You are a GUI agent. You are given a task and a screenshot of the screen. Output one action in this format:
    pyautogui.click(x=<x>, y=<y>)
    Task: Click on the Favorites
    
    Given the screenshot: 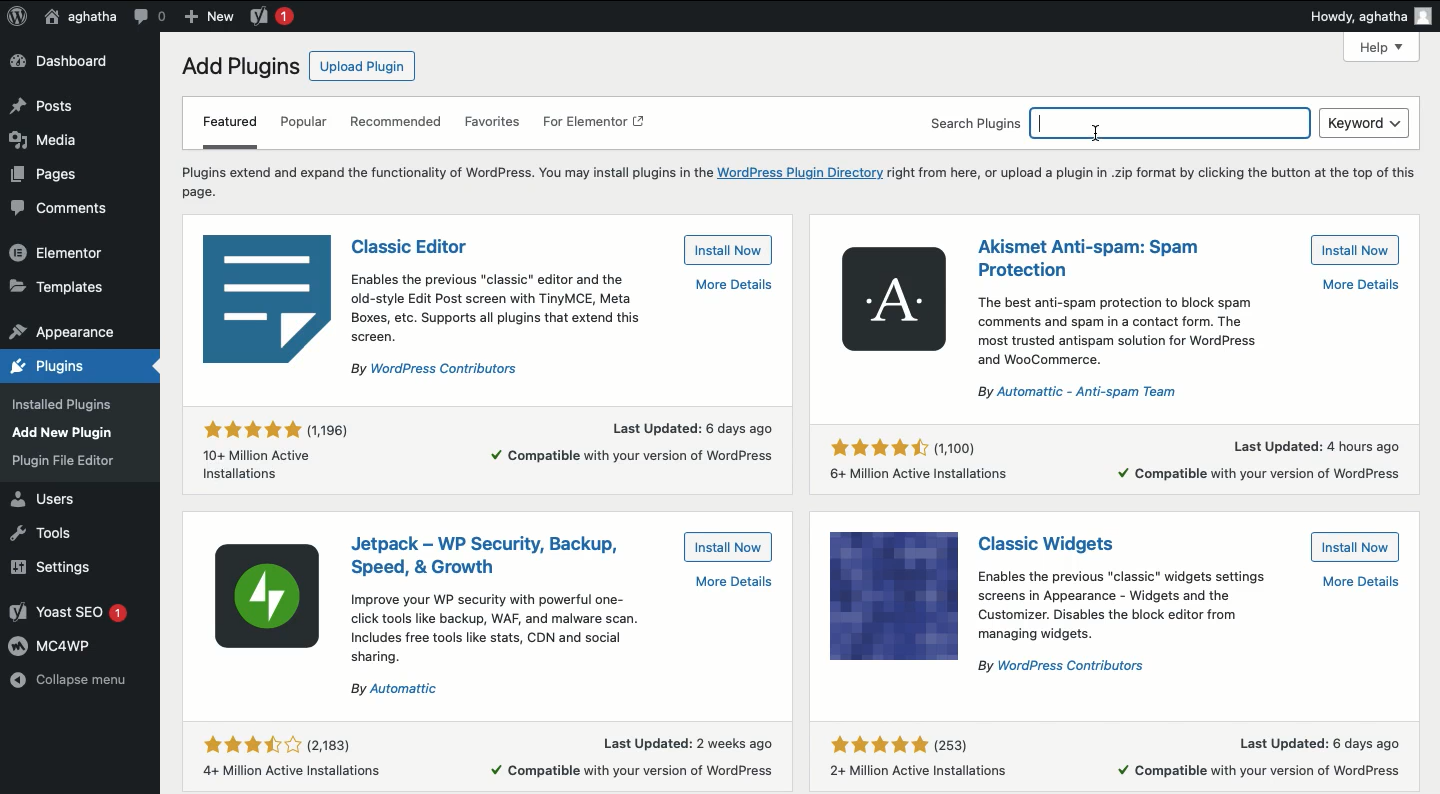 What is the action you would take?
    pyautogui.click(x=494, y=123)
    